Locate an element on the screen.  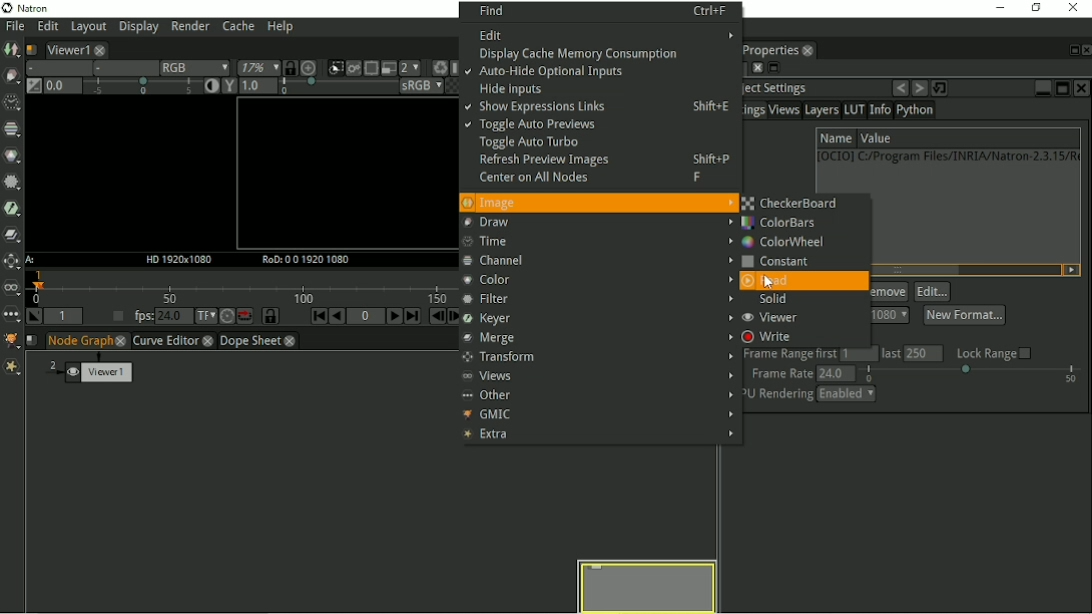
Channel is located at coordinates (13, 130).